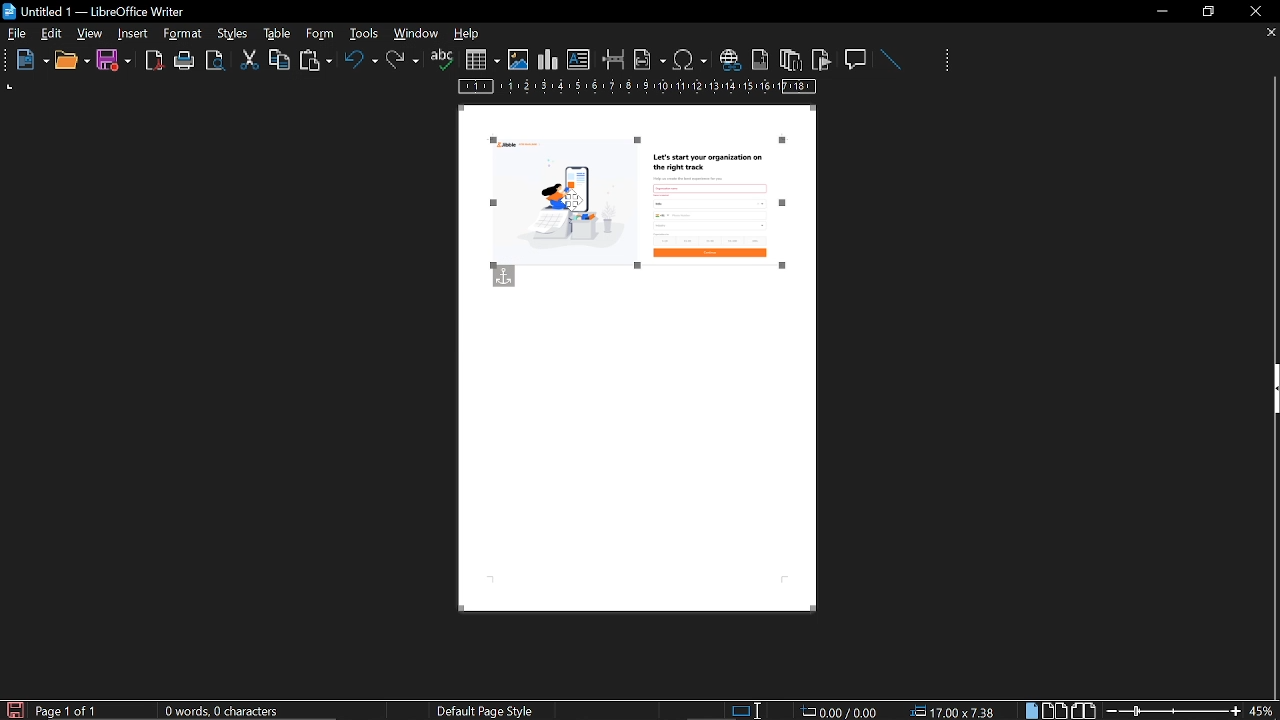 The height and width of the screenshot is (720, 1280). What do you see at coordinates (231, 32) in the screenshot?
I see `format` at bounding box center [231, 32].